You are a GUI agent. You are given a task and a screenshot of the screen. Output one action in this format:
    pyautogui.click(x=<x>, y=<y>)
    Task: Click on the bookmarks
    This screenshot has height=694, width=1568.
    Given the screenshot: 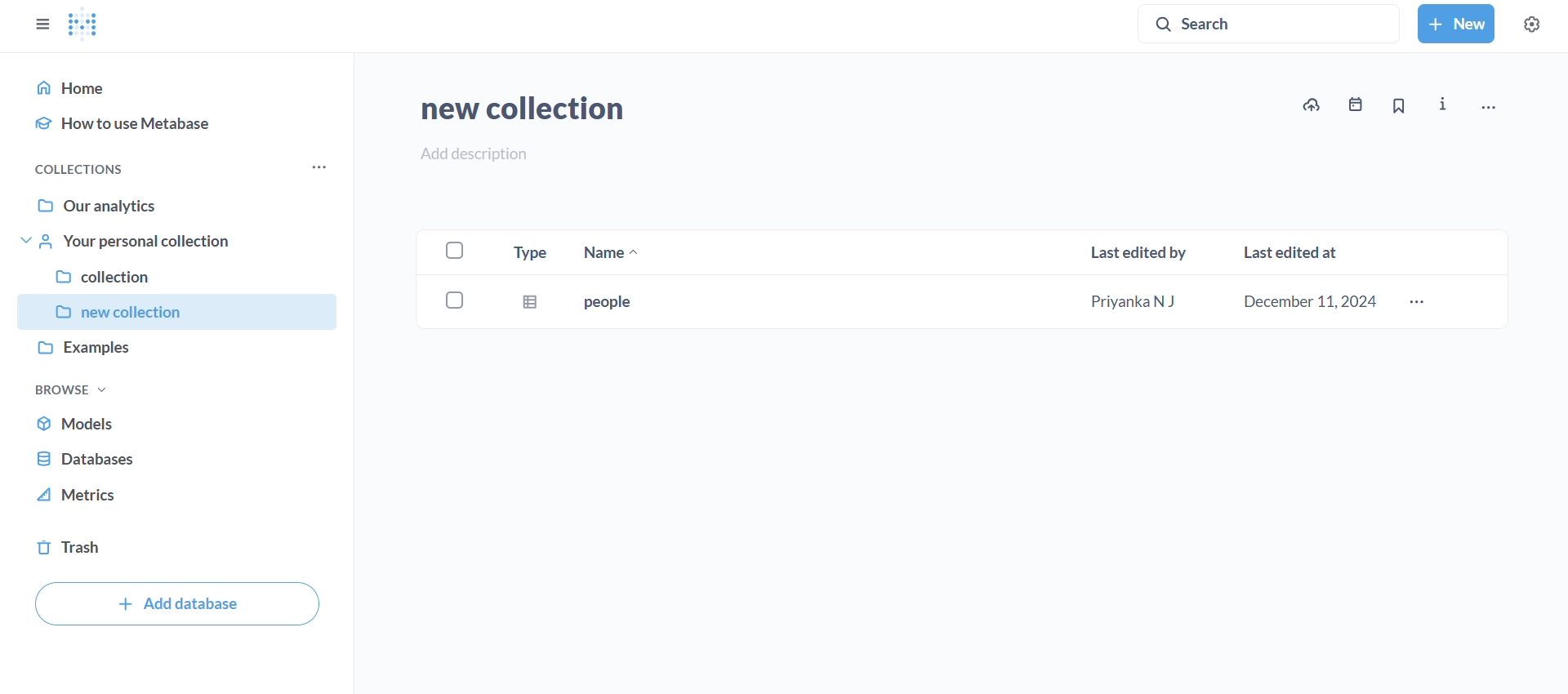 What is the action you would take?
    pyautogui.click(x=1396, y=107)
    